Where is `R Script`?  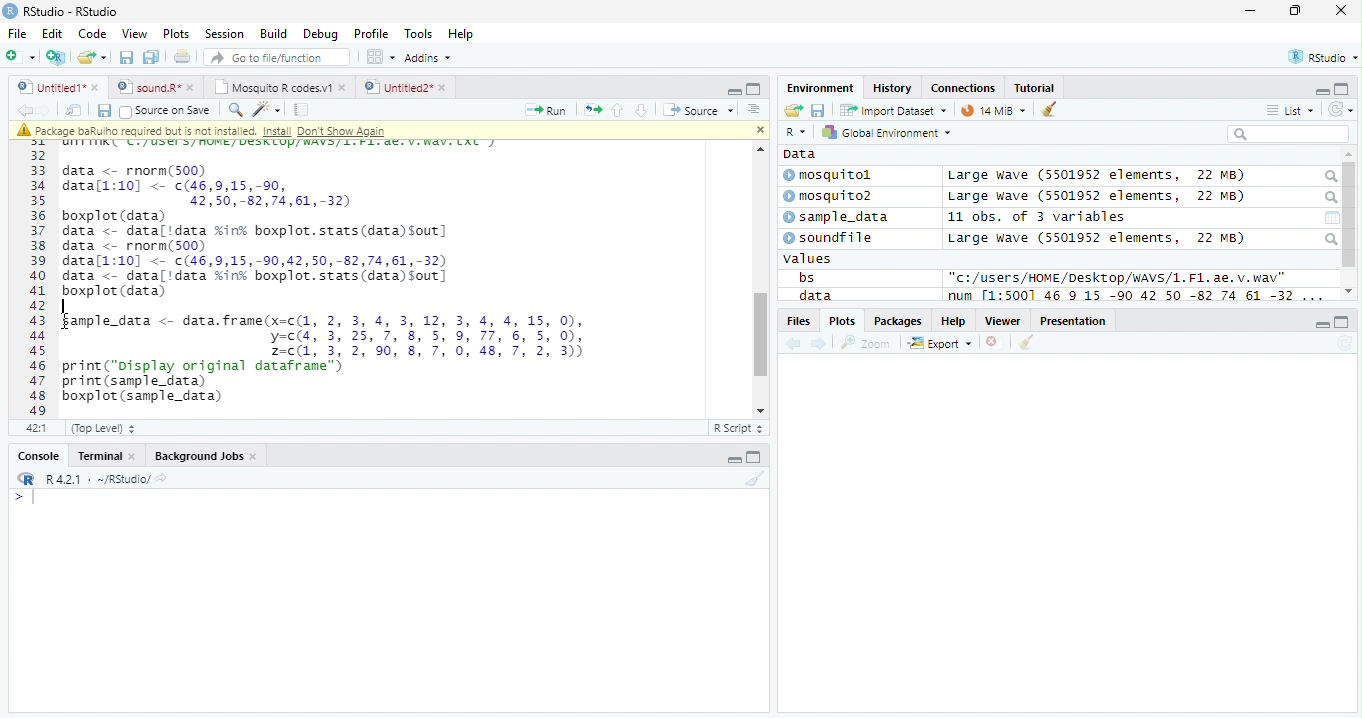
R Script is located at coordinates (739, 427).